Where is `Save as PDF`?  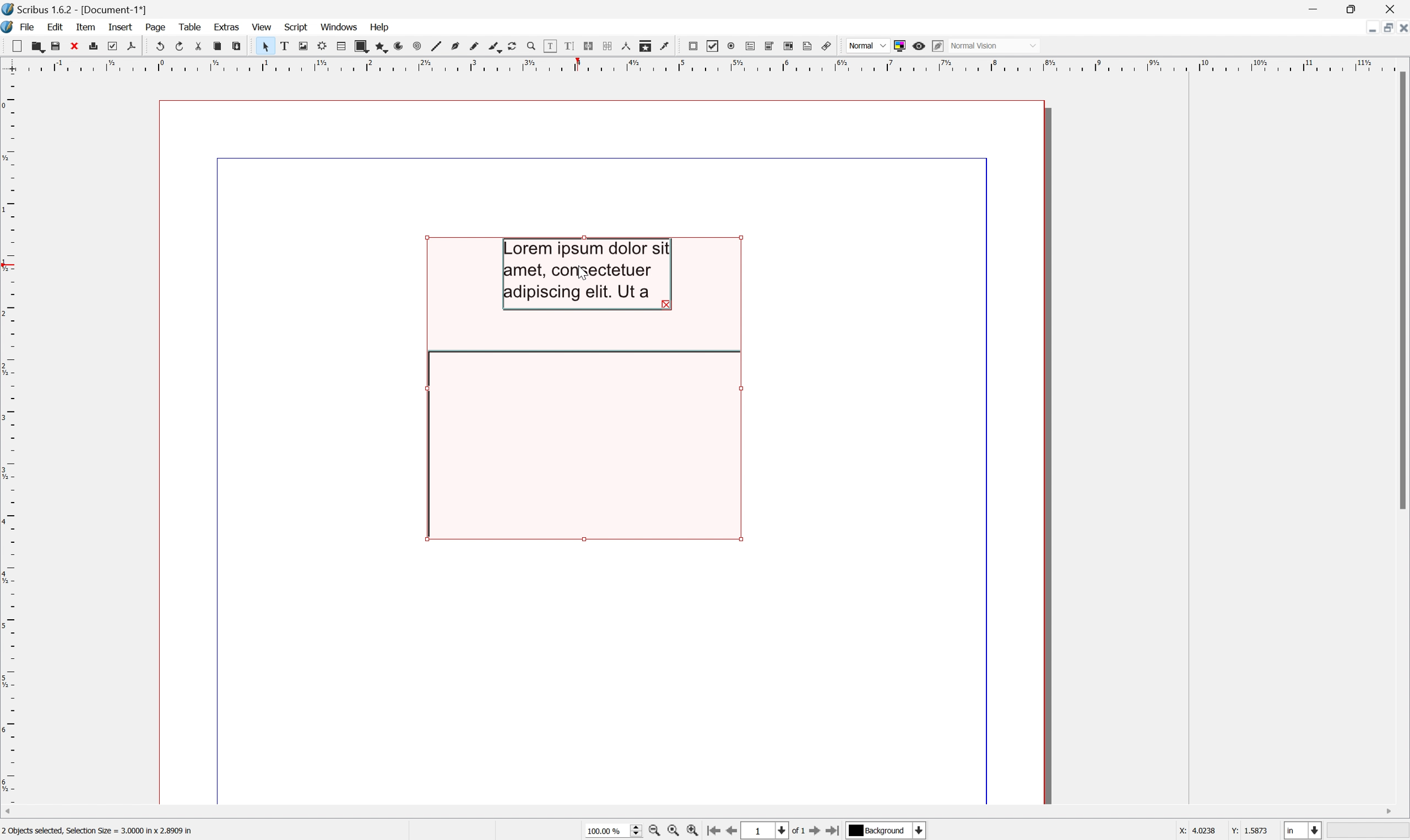 Save as PDF is located at coordinates (131, 48).